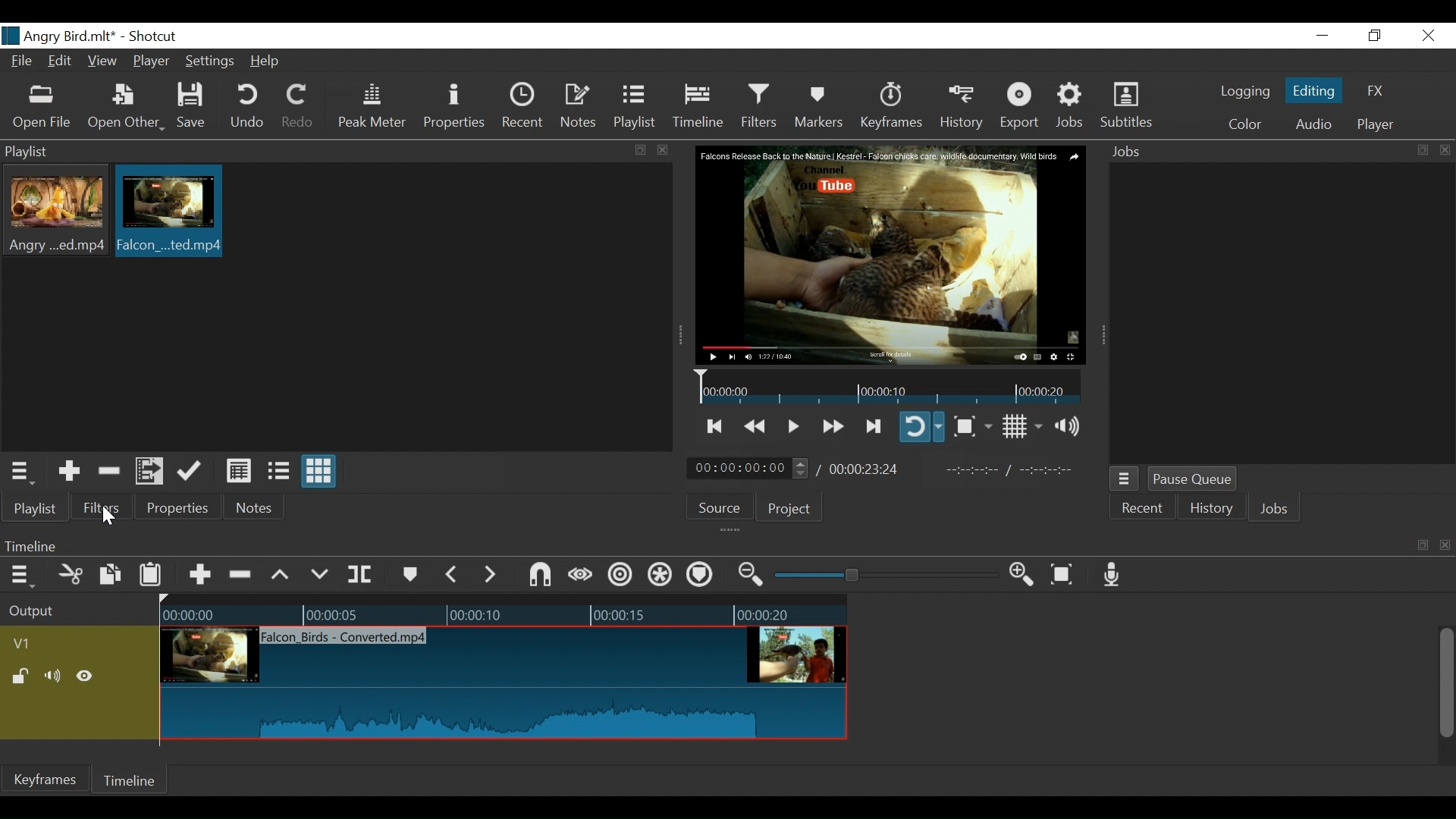  Describe the element at coordinates (85, 679) in the screenshot. I see `Hide` at that location.